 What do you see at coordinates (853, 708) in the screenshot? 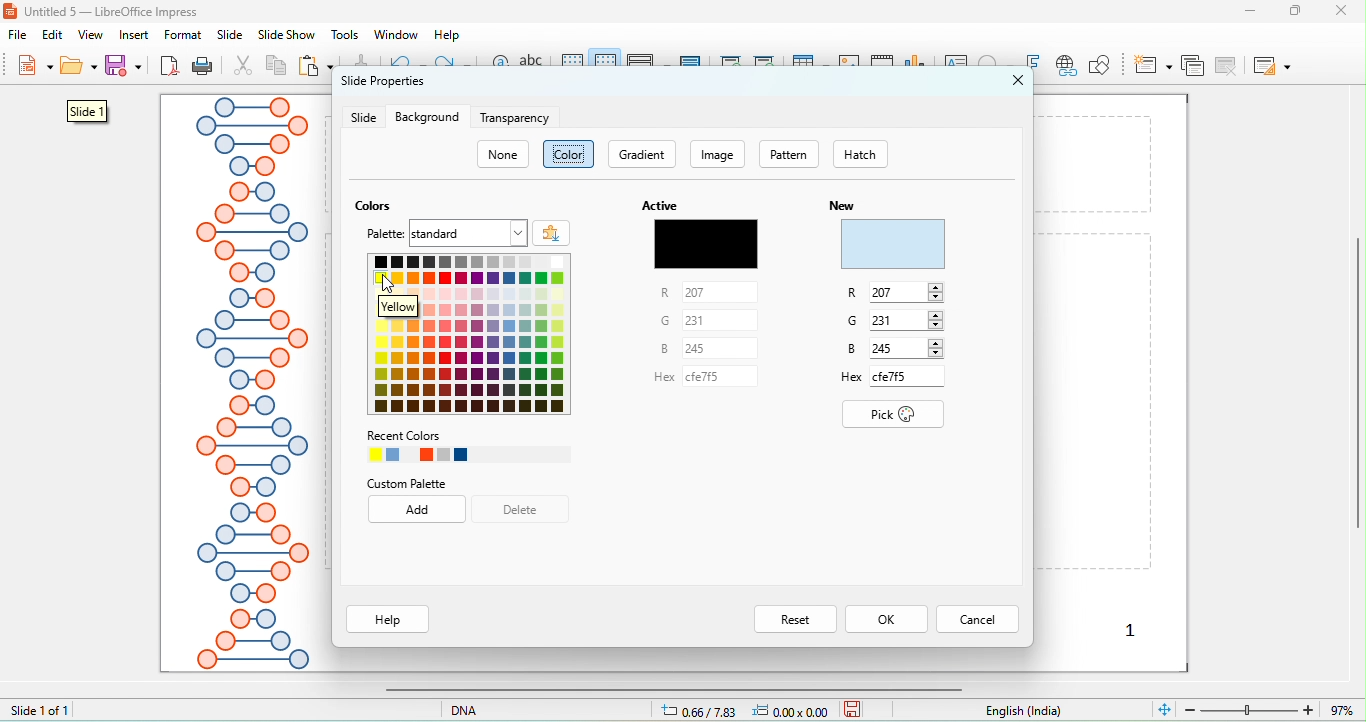
I see `save` at bounding box center [853, 708].